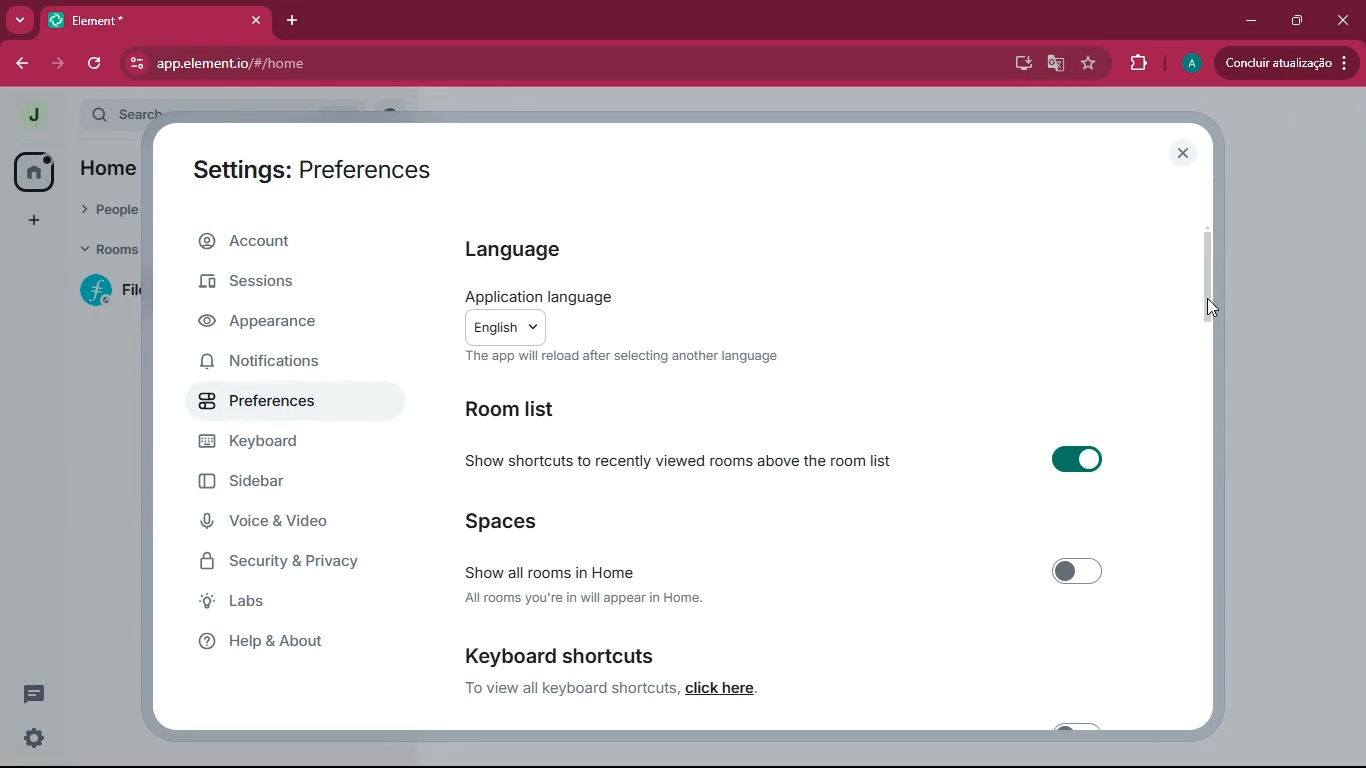 The height and width of the screenshot is (768, 1366). What do you see at coordinates (284, 442) in the screenshot?
I see `keyboard` at bounding box center [284, 442].